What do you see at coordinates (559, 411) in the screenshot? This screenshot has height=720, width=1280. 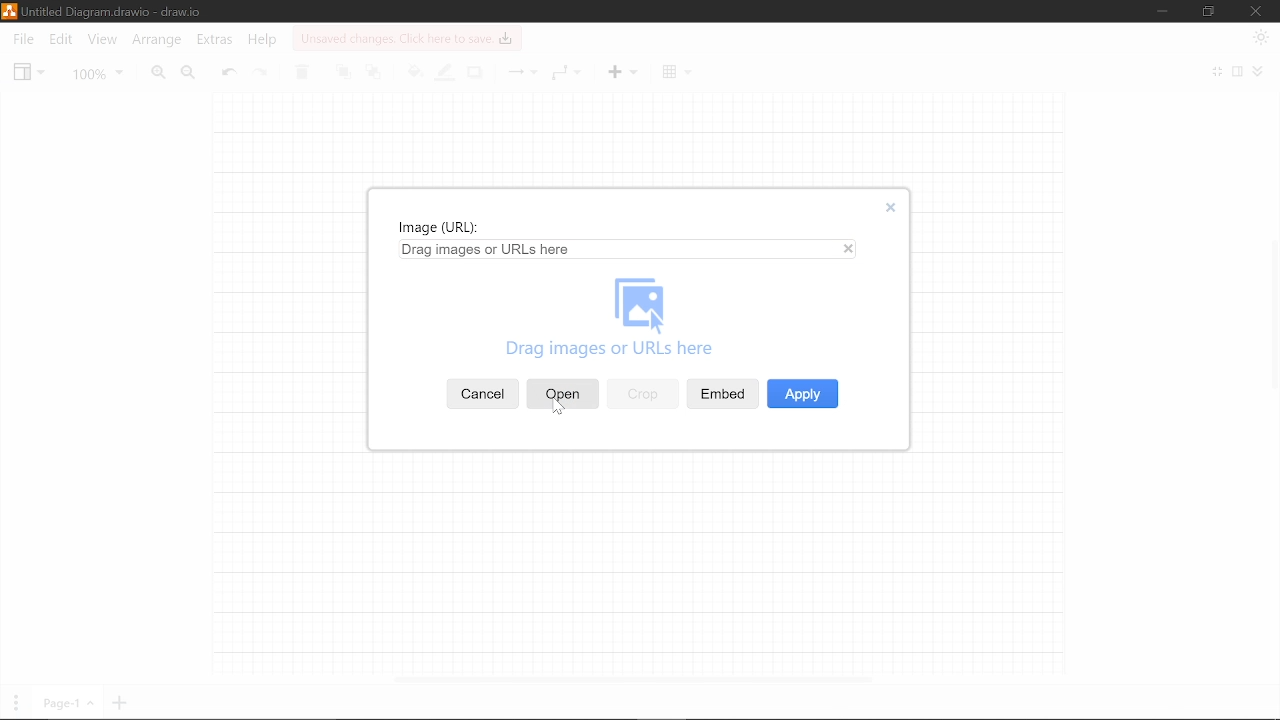 I see `cursor` at bounding box center [559, 411].